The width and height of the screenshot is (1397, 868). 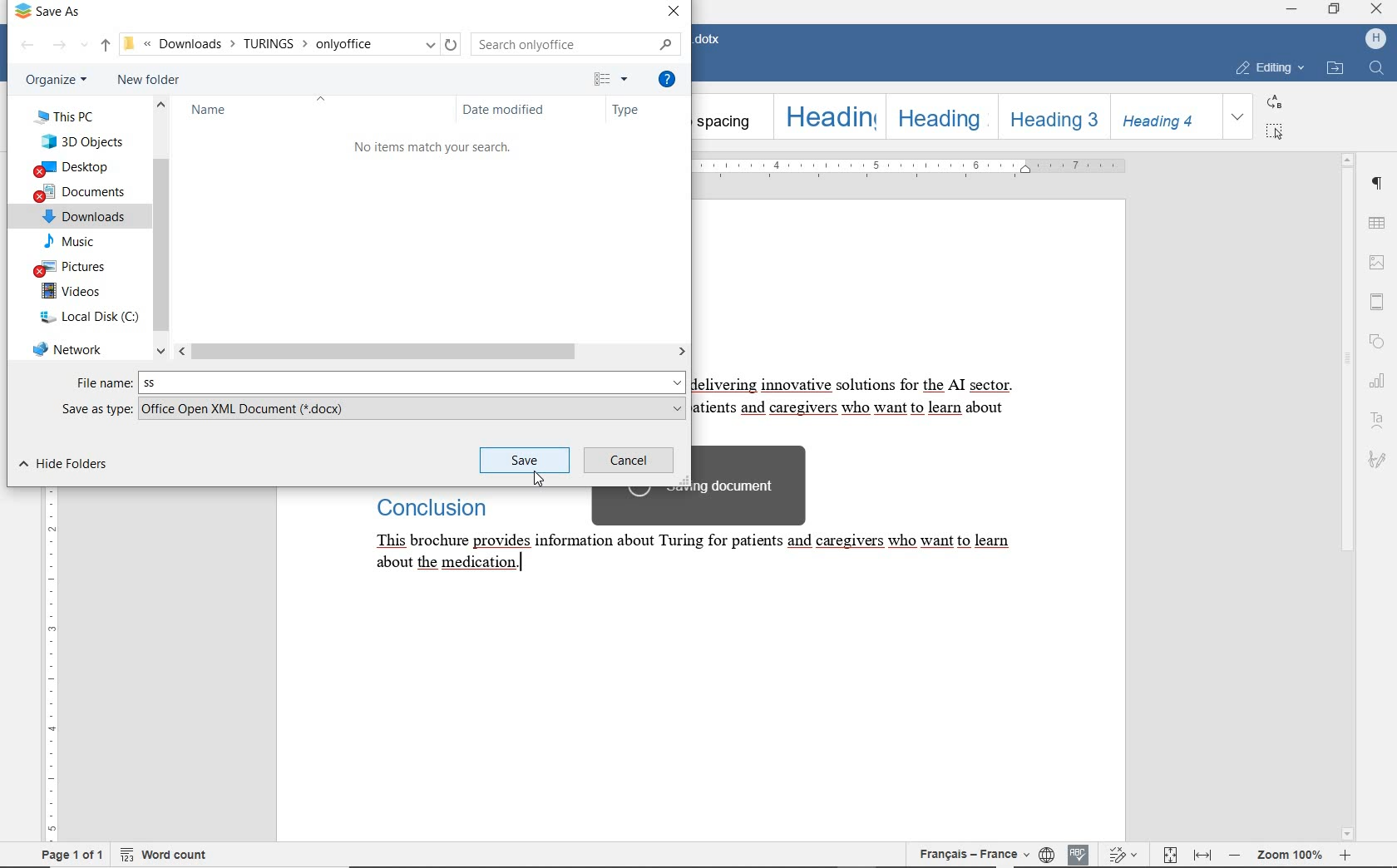 What do you see at coordinates (1378, 223) in the screenshot?
I see `TABLE` at bounding box center [1378, 223].